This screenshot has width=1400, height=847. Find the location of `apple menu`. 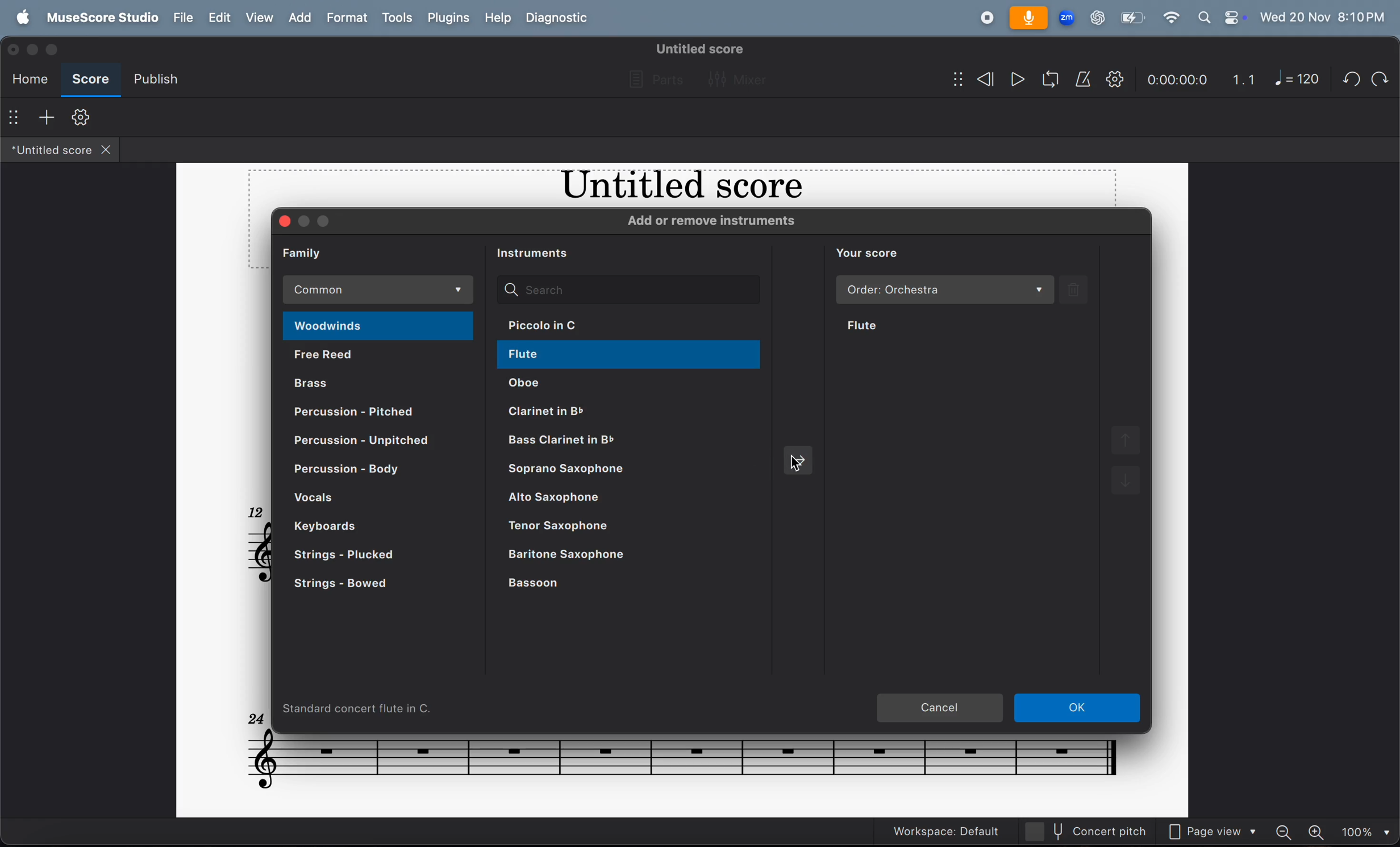

apple menu is located at coordinates (23, 17).